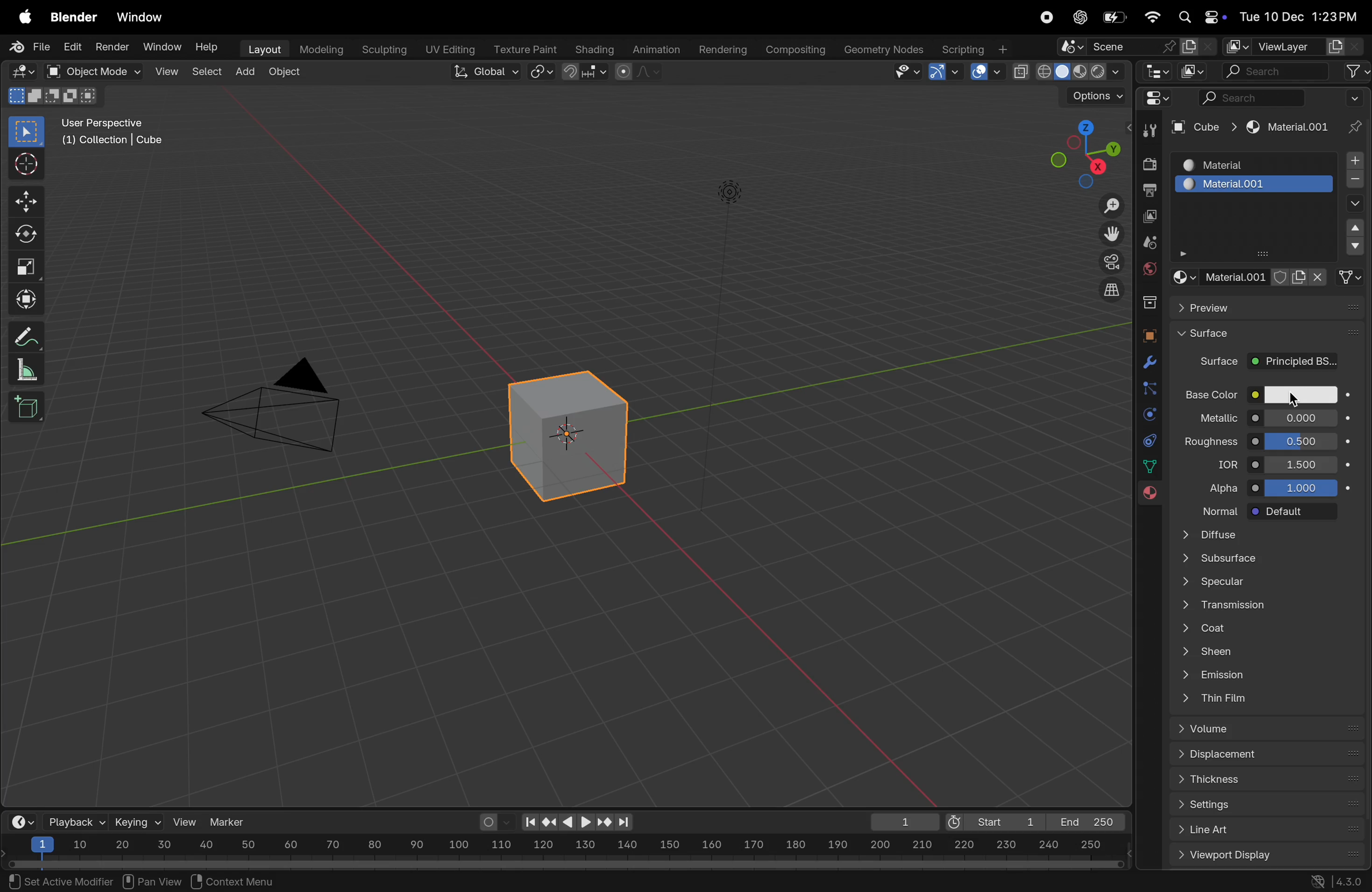 Image resolution: width=1372 pixels, height=892 pixels. What do you see at coordinates (1294, 362) in the screenshot?
I see `project background` at bounding box center [1294, 362].